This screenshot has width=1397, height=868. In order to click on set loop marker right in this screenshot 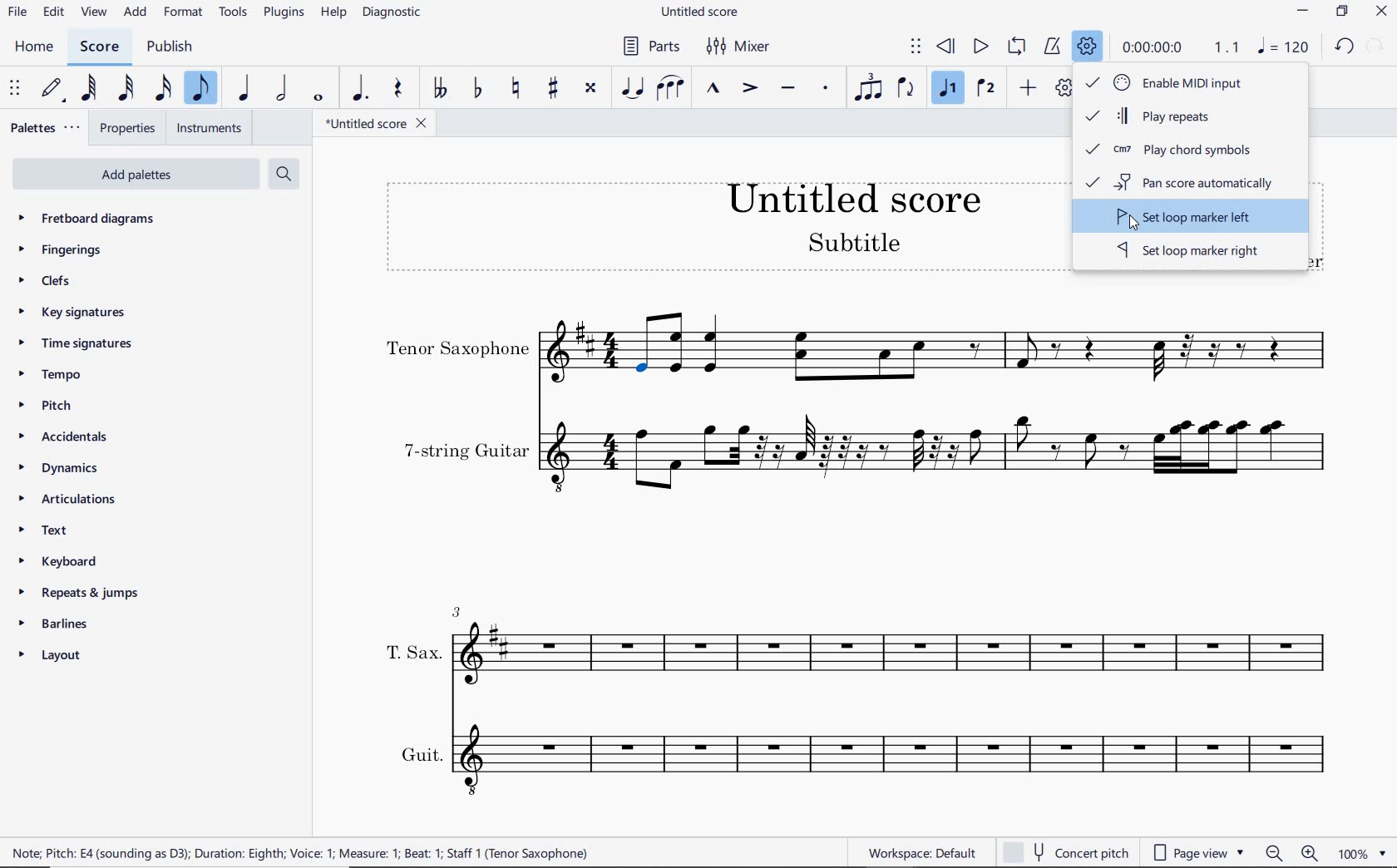, I will do `click(1190, 253)`.